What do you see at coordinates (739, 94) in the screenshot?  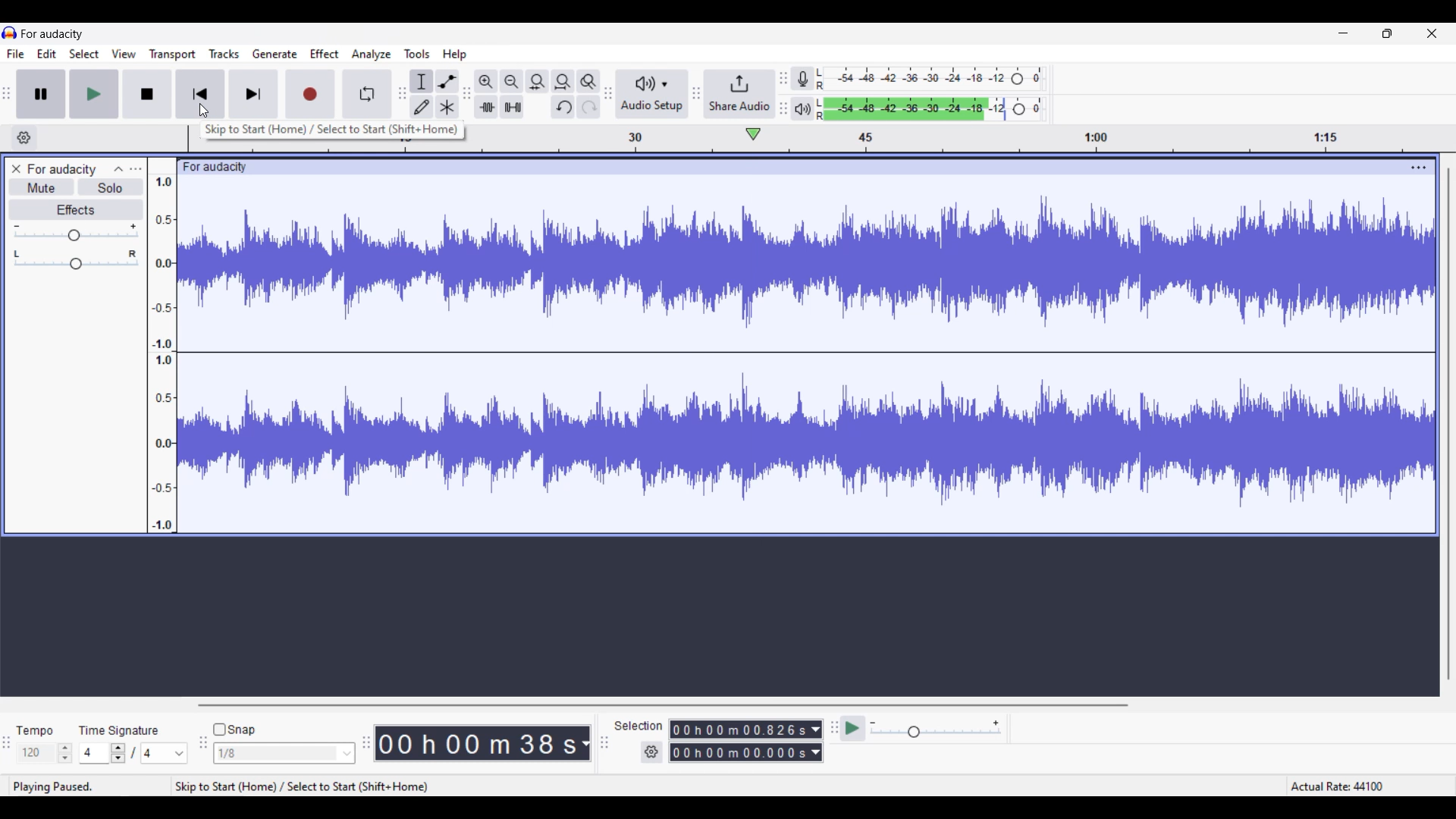 I see `Share audio` at bounding box center [739, 94].